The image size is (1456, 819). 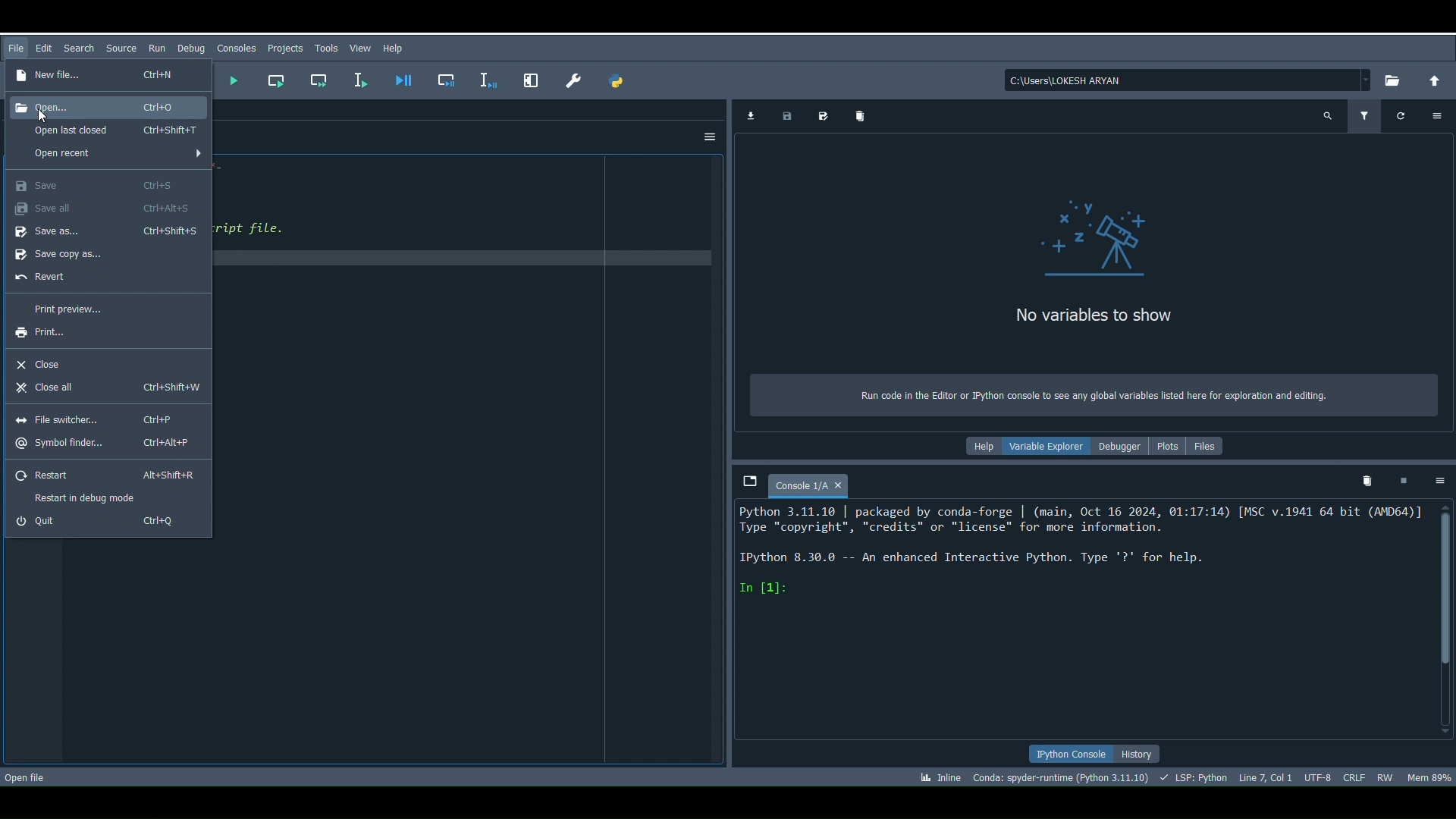 I want to click on Revert, so click(x=102, y=278).